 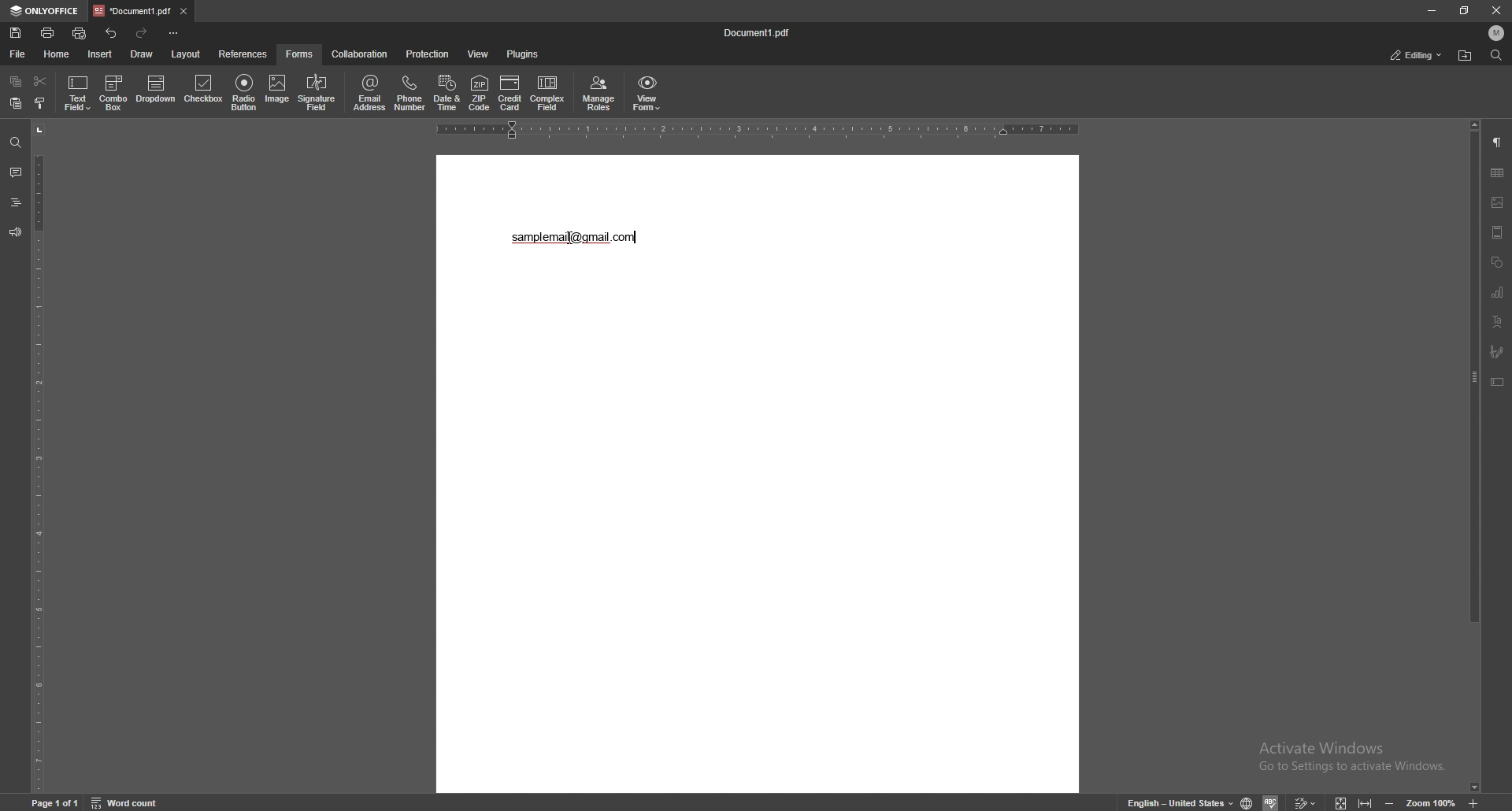 What do you see at coordinates (1432, 10) in the screenshot?
I see `minimize` at bounding box center [1432, 10].